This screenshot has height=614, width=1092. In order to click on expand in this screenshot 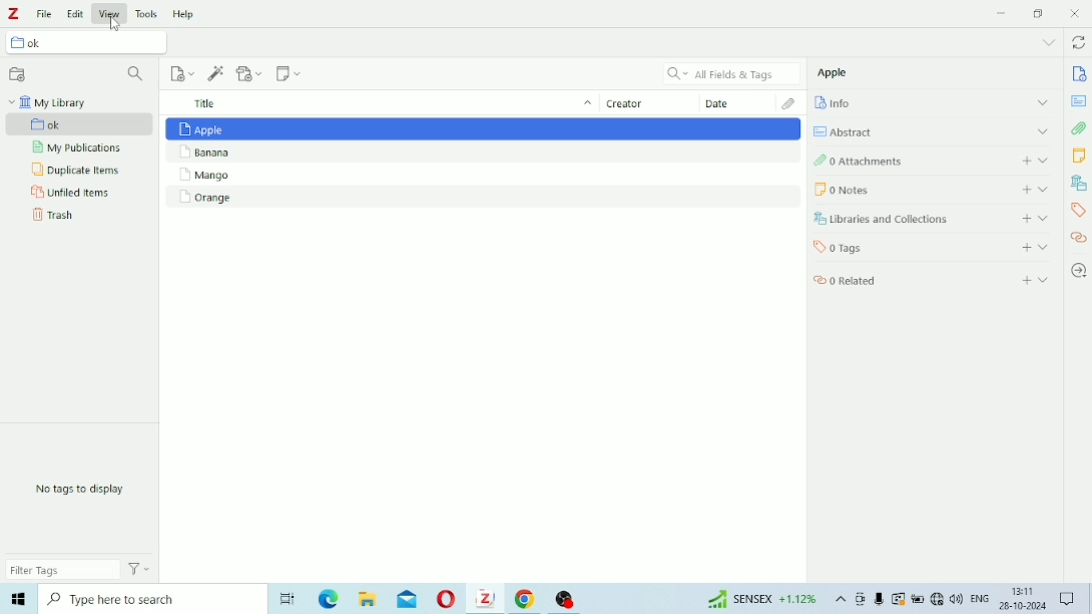, I will do `click(1048, 161)`.